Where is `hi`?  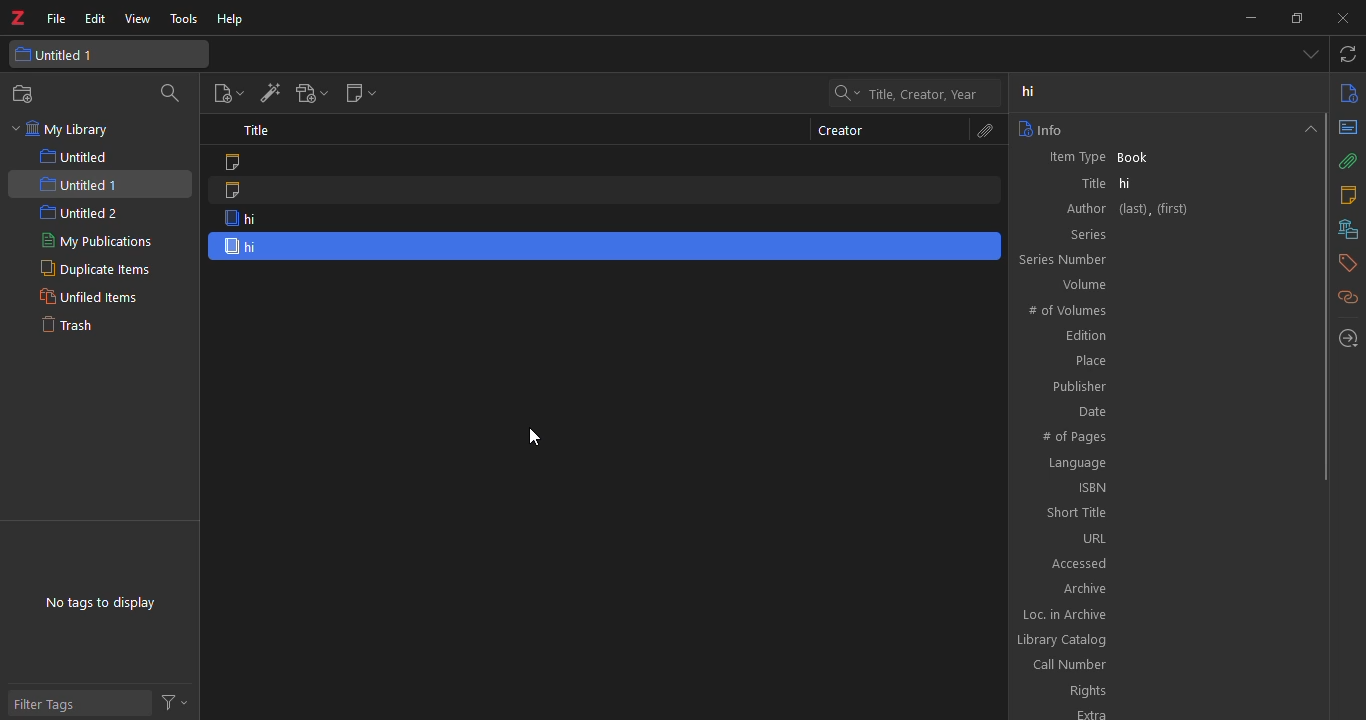 hi is located at coordinates (1026, 90).